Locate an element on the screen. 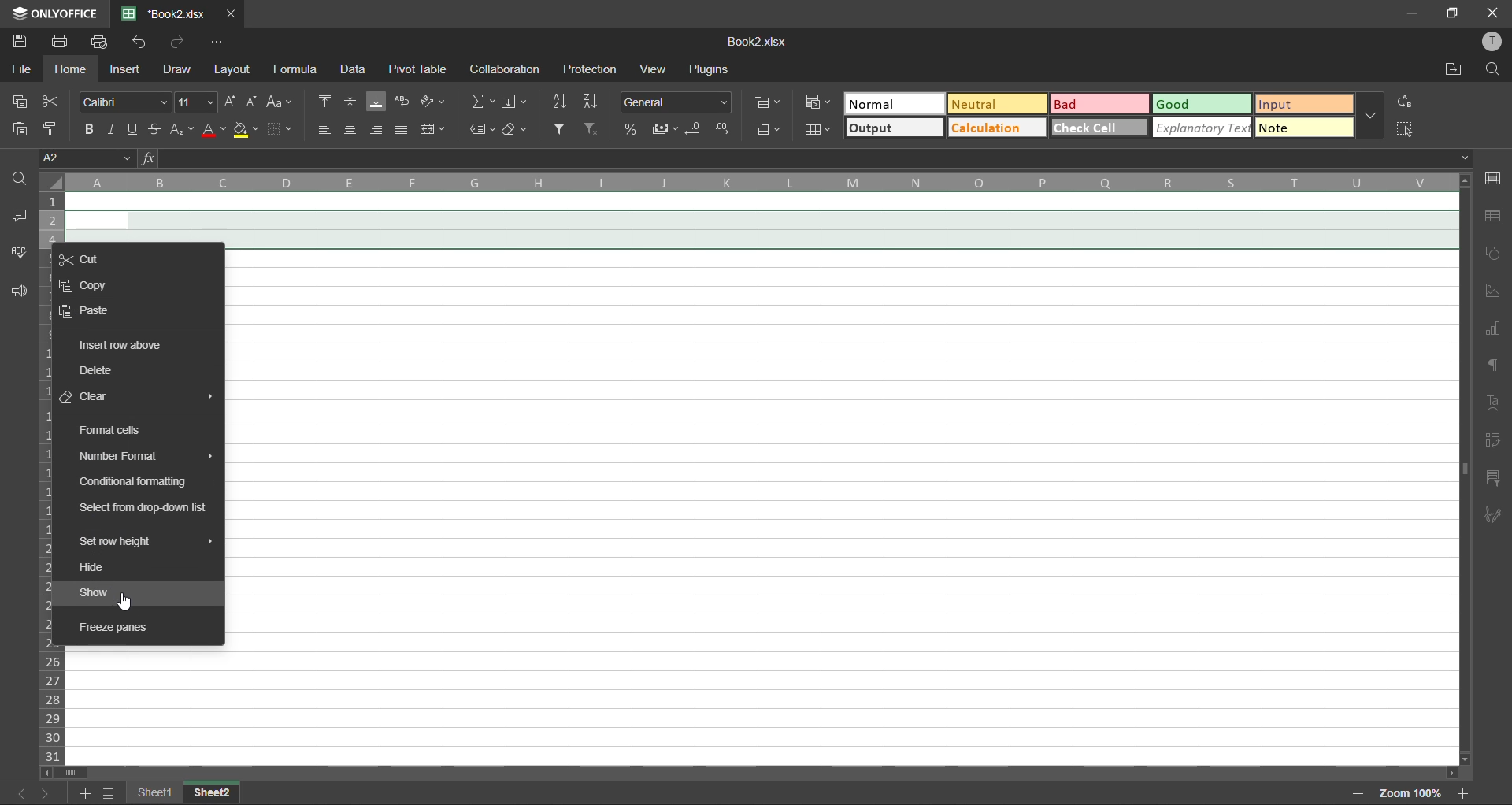 This screenshot has height=805, width=1512. freeze panes is located at coordinates (117, 627).